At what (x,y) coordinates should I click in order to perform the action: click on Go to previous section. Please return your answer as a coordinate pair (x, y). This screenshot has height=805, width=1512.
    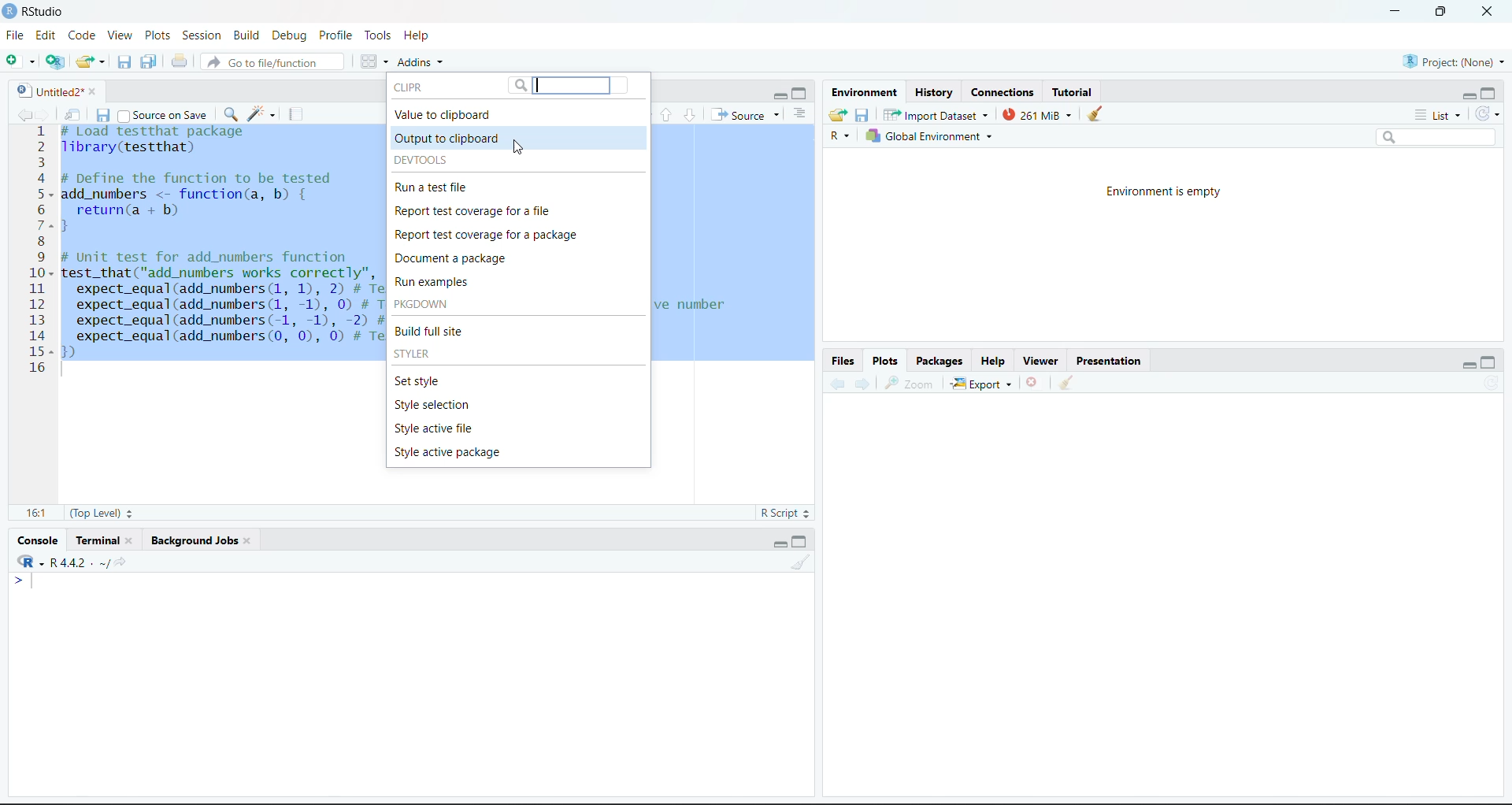
    Looking at the image, I should click on (665, 114).